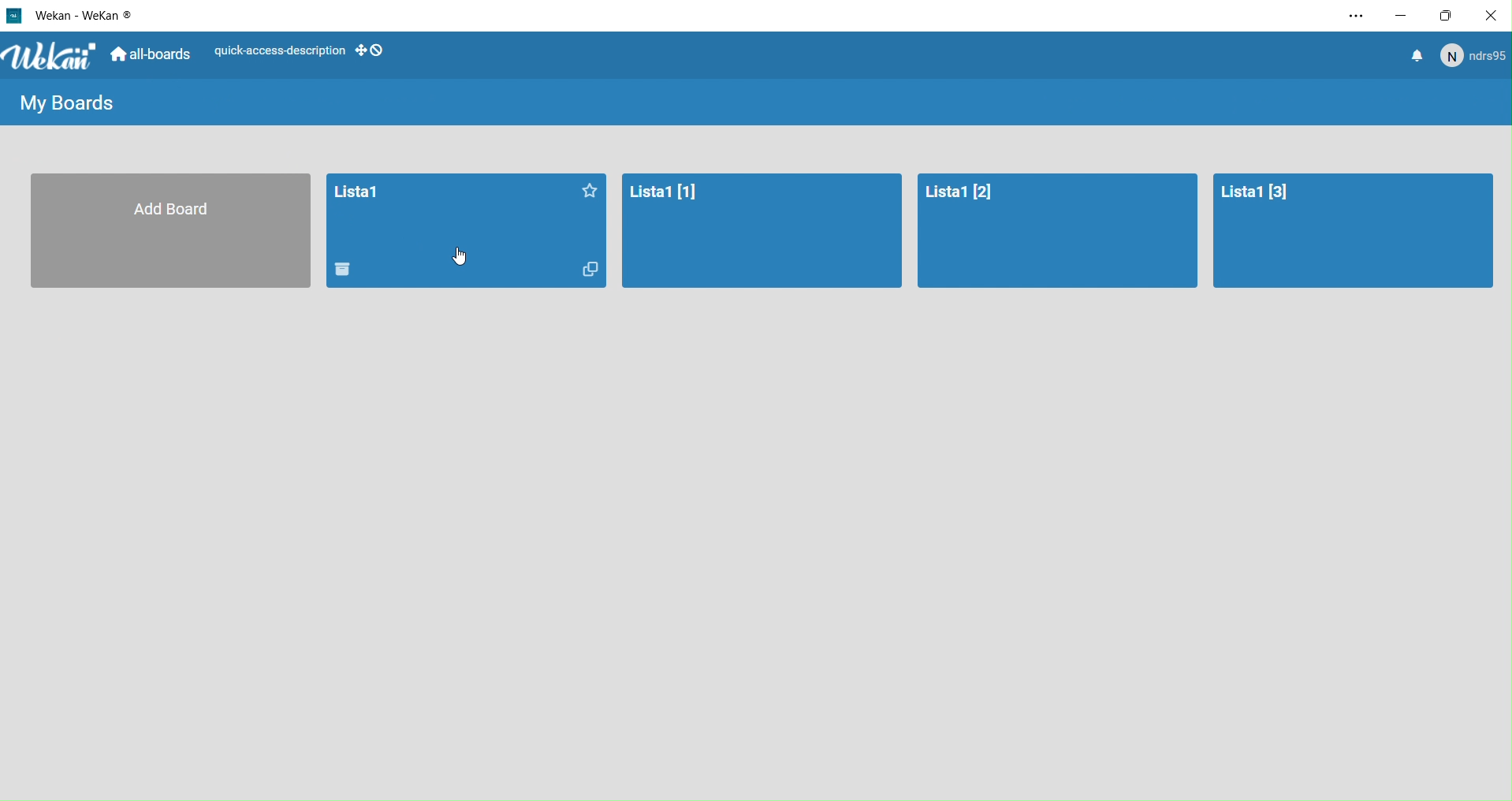 This screenshot has width=1512, height=801. What do you see at coordinates (95, 14) in the screenshot?
I see `WeKan` at bounding box center [95, 14].